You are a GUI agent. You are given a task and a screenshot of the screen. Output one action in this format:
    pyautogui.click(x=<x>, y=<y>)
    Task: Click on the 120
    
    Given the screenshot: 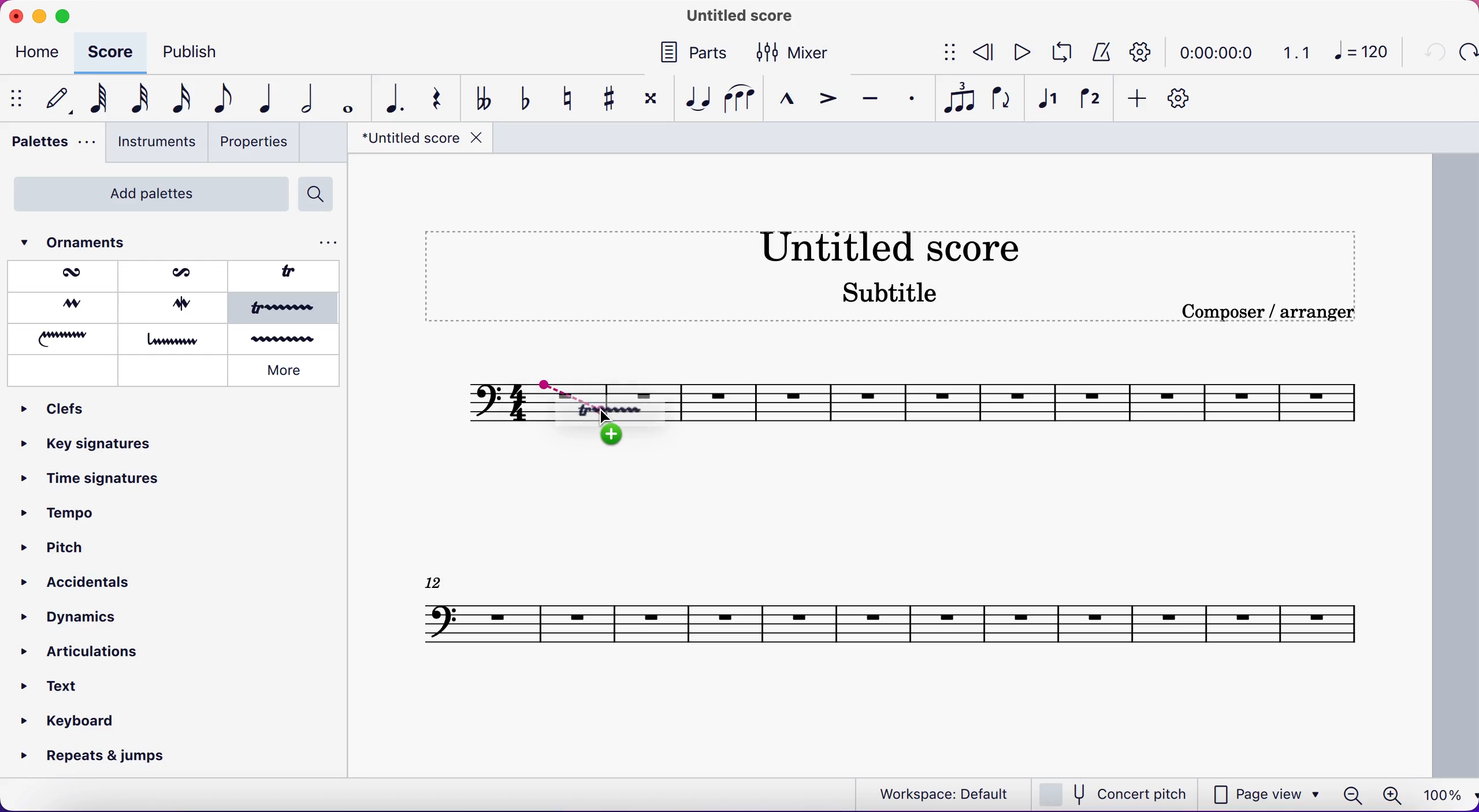 What is the action you would take?
    pyautogui.click(x=1365, y=54)
    